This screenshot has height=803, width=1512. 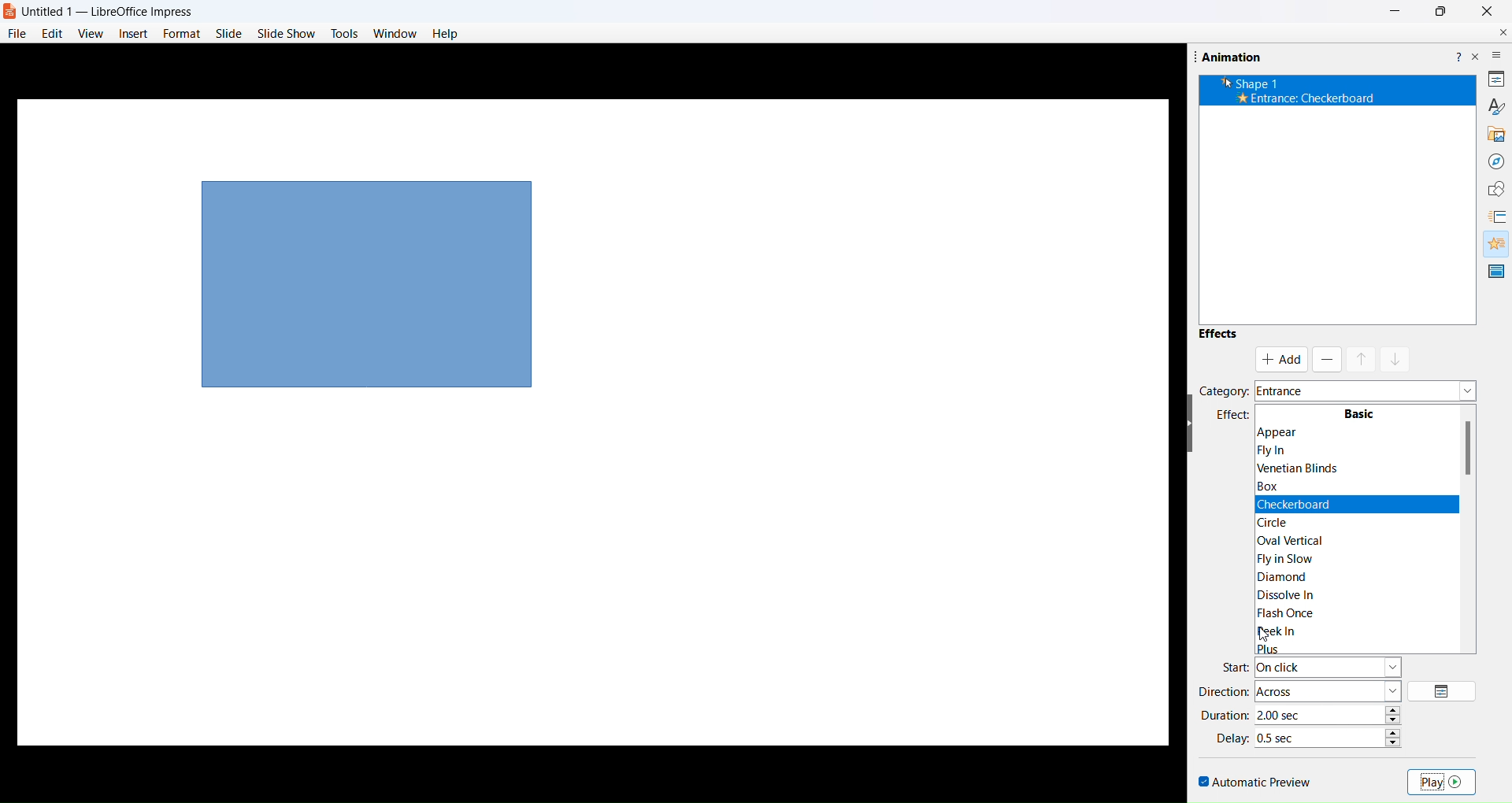 What do you see at coordinates (1492, 187) in the screenshot?
I see `shapes` at bounding box center [1492, 187].